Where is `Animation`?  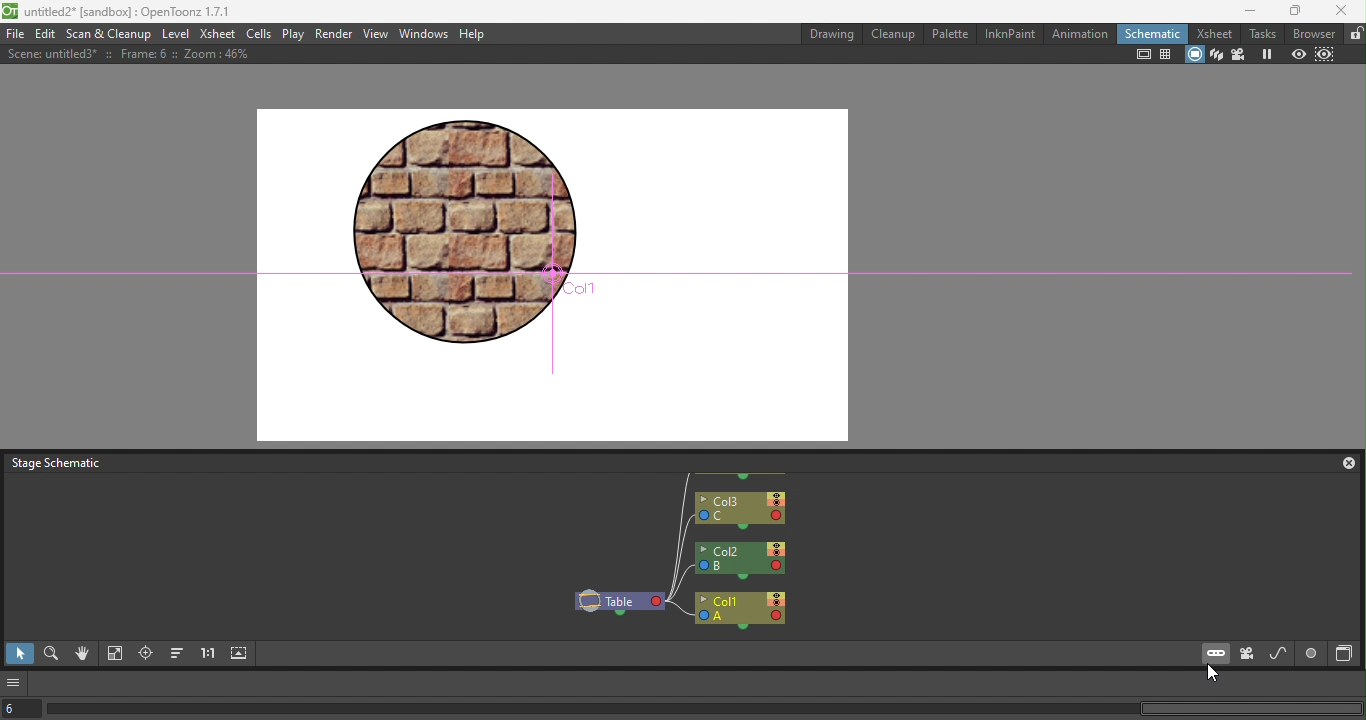
Animation is located at coordinates (1080, 34).